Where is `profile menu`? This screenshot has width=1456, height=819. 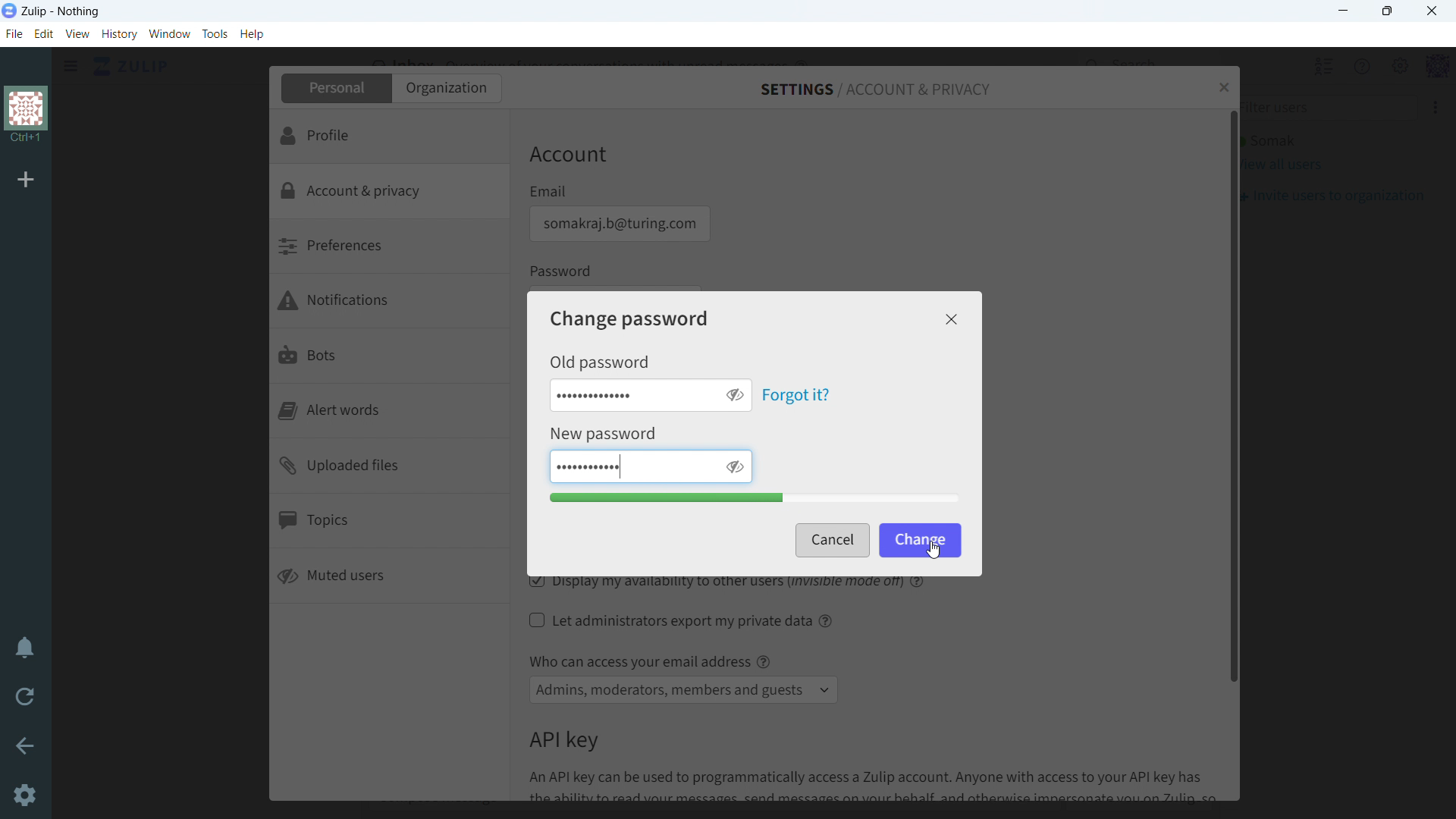 profile menu is located at coordinates (1438, 67).